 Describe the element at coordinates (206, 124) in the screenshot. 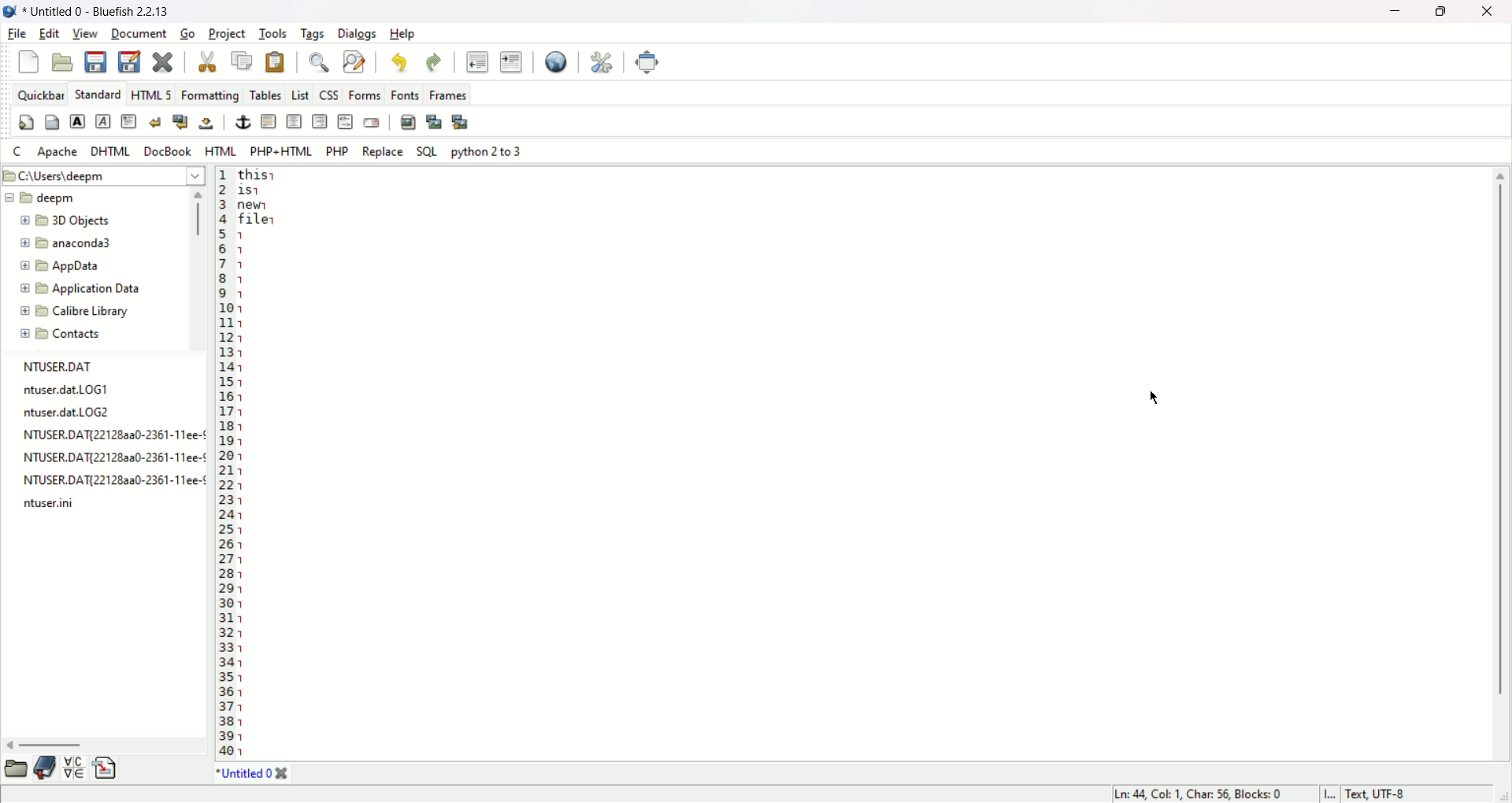

I see `non breaking space` at that location.